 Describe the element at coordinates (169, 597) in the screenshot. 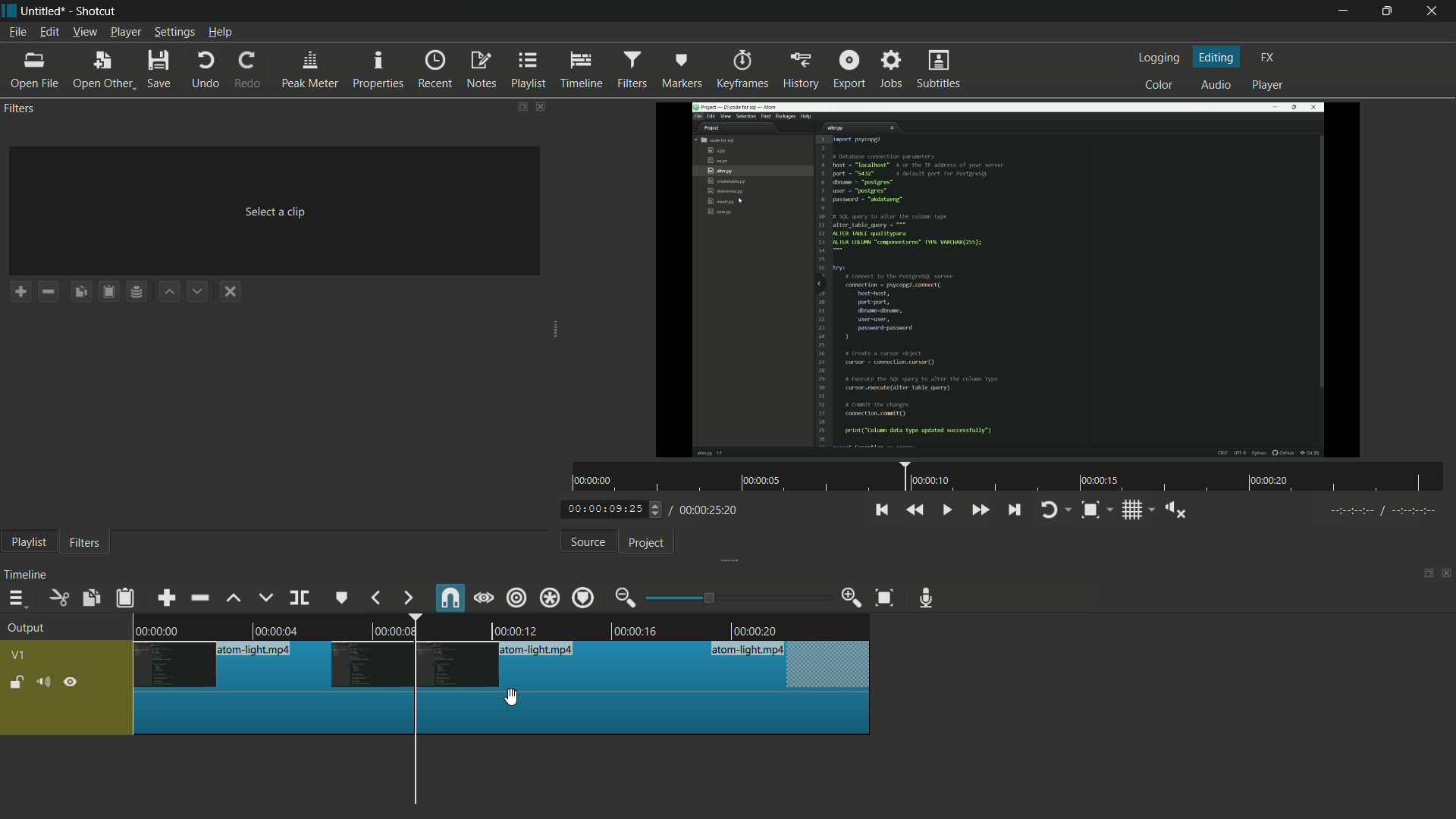

I see `append` at that location.